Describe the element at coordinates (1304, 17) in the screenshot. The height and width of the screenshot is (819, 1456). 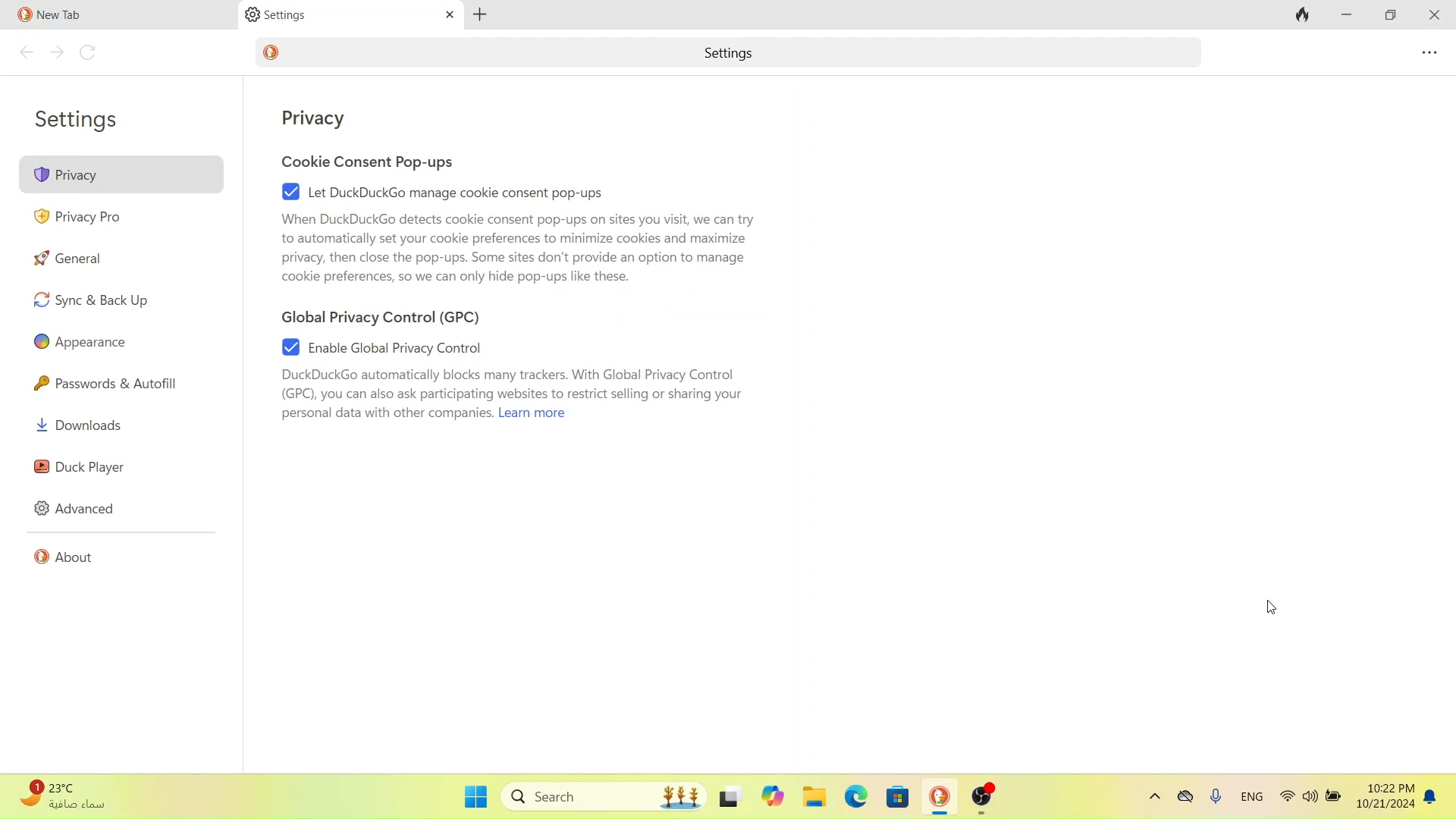
I see `` at that location.